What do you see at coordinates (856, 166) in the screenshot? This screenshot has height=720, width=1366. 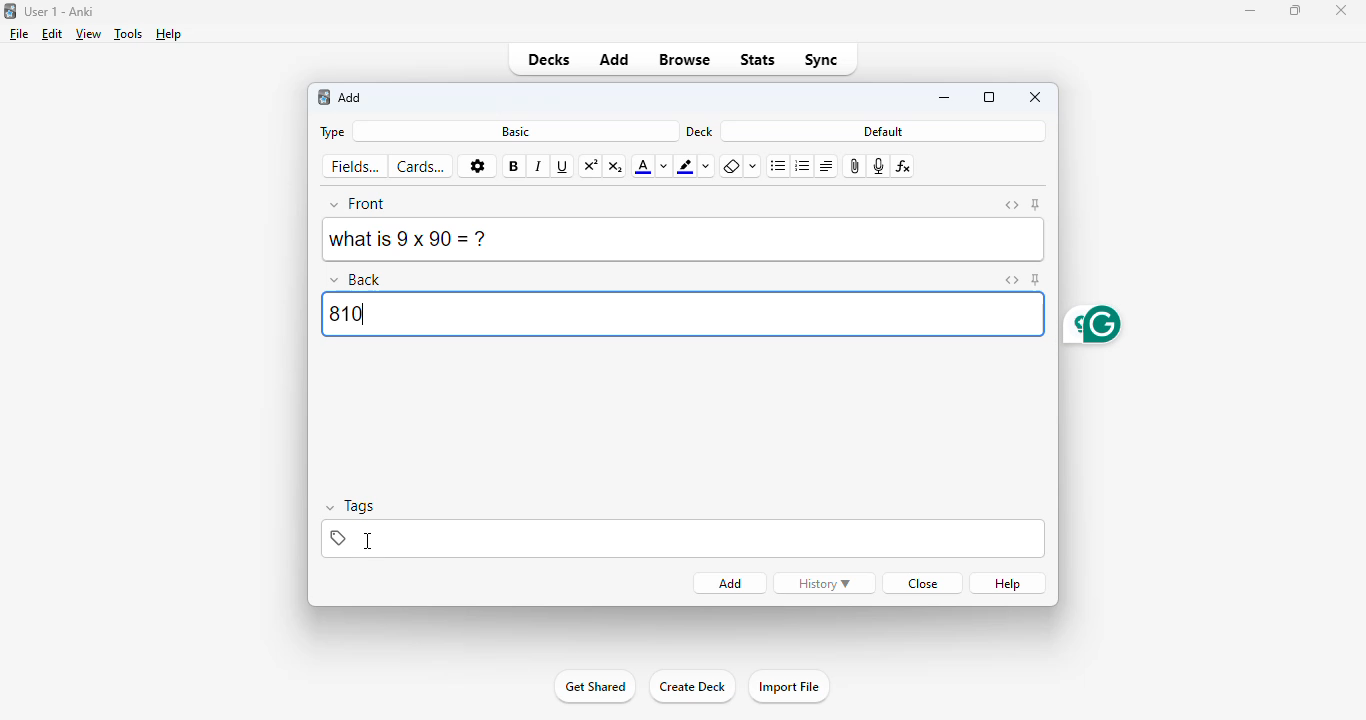 I see `attach pictures/audio/video` at bounding box center [856, 166].